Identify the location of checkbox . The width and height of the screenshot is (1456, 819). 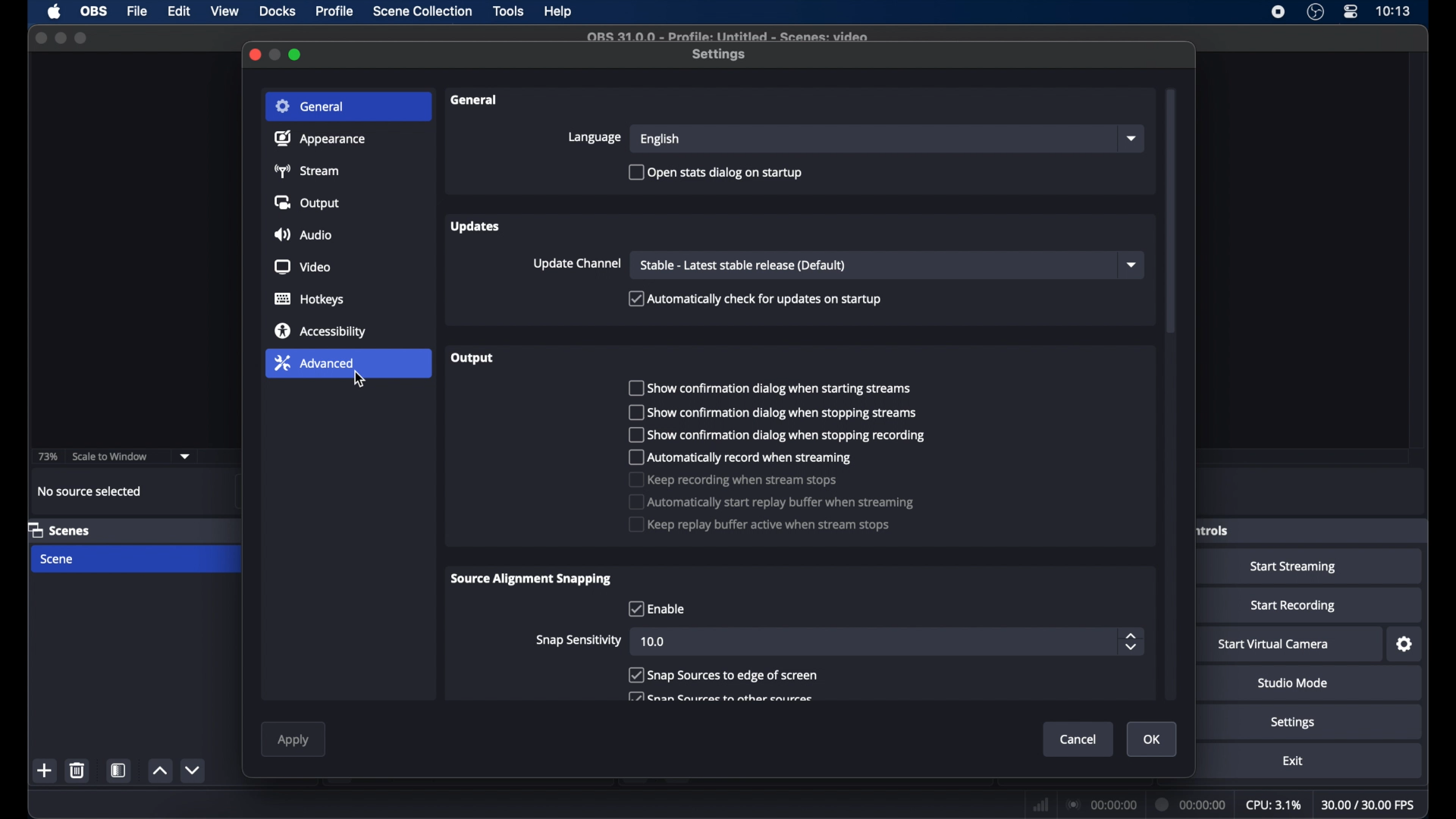
(723, 674).